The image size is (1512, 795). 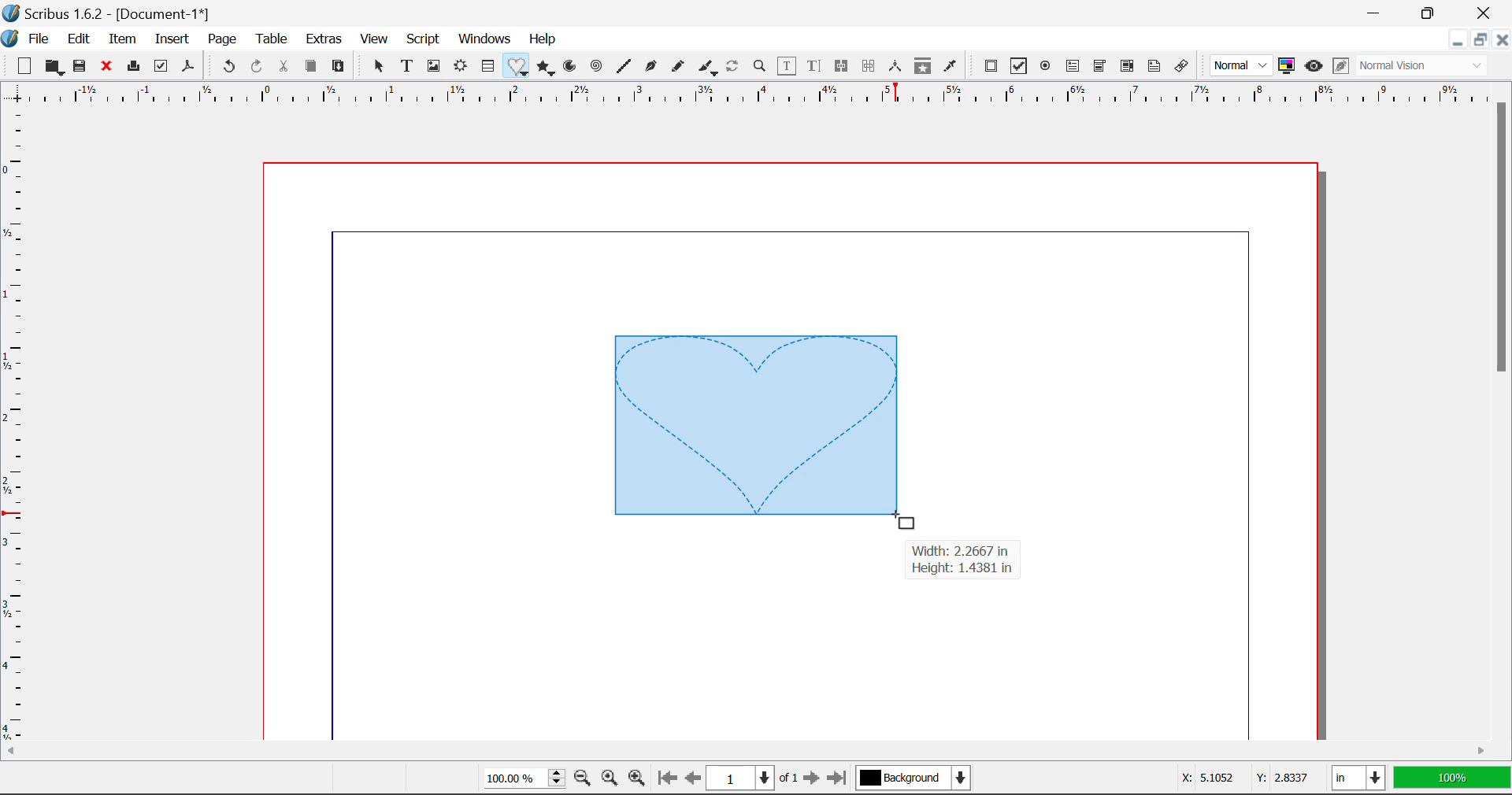 What do you see at coordinates (327, 40) in the screenshot?
I see `Extras` at bounding box center [327, 40].